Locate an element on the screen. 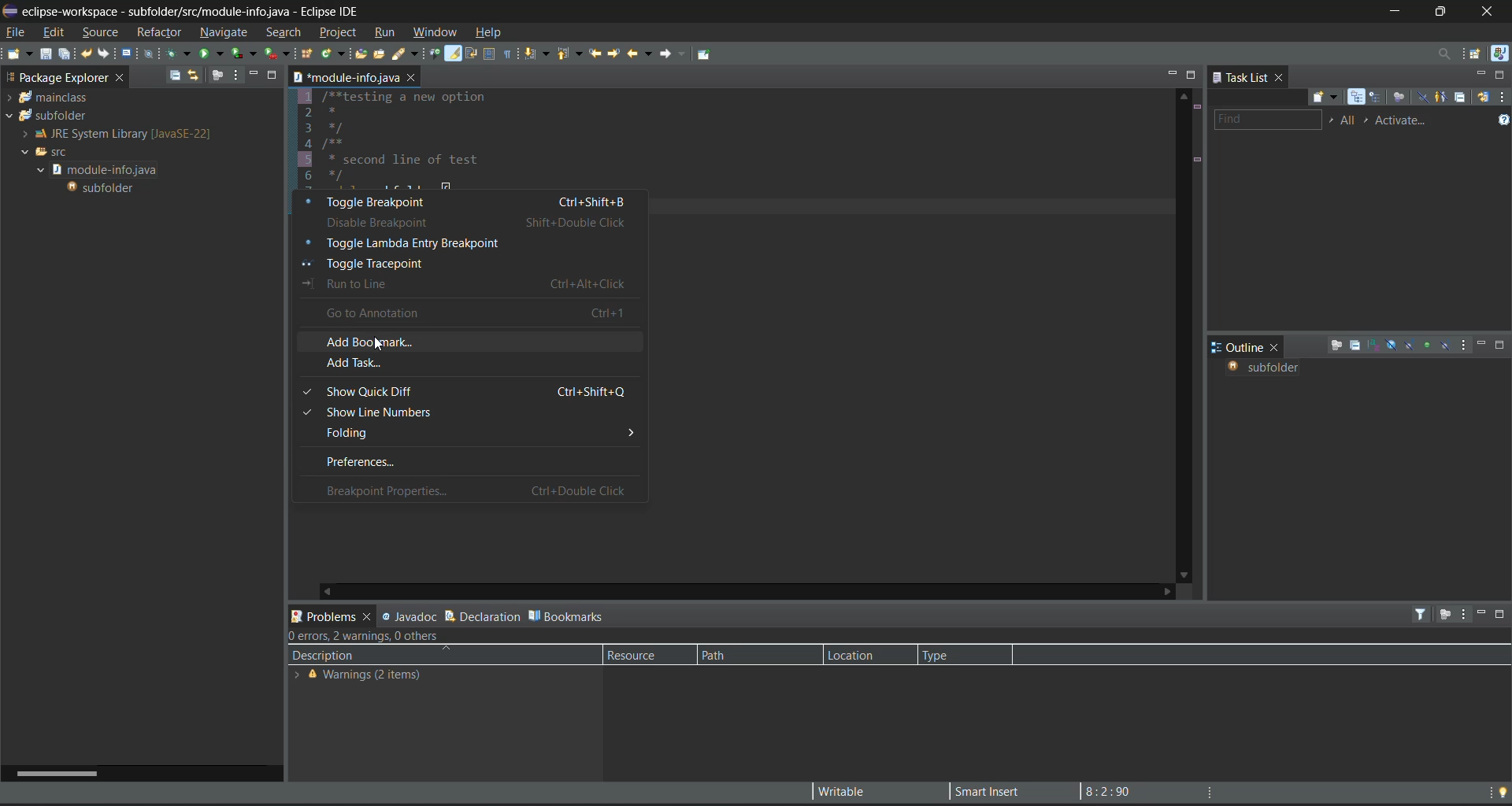 This screenshot has width=1512, height=806. previous annotation is located at coordinates (573, 54).